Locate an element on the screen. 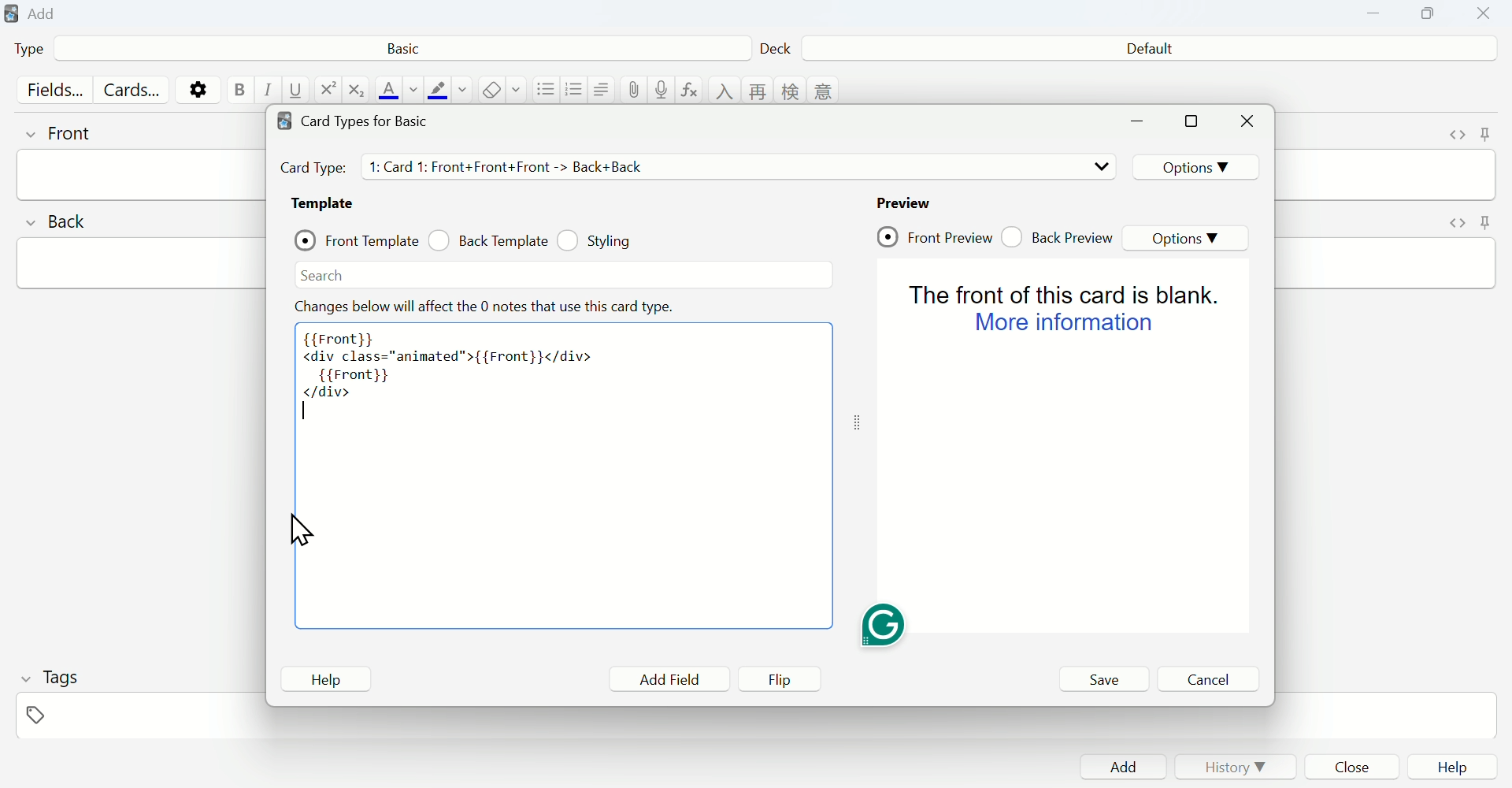  toggle expand/contract is located at coordinates (858, 424).